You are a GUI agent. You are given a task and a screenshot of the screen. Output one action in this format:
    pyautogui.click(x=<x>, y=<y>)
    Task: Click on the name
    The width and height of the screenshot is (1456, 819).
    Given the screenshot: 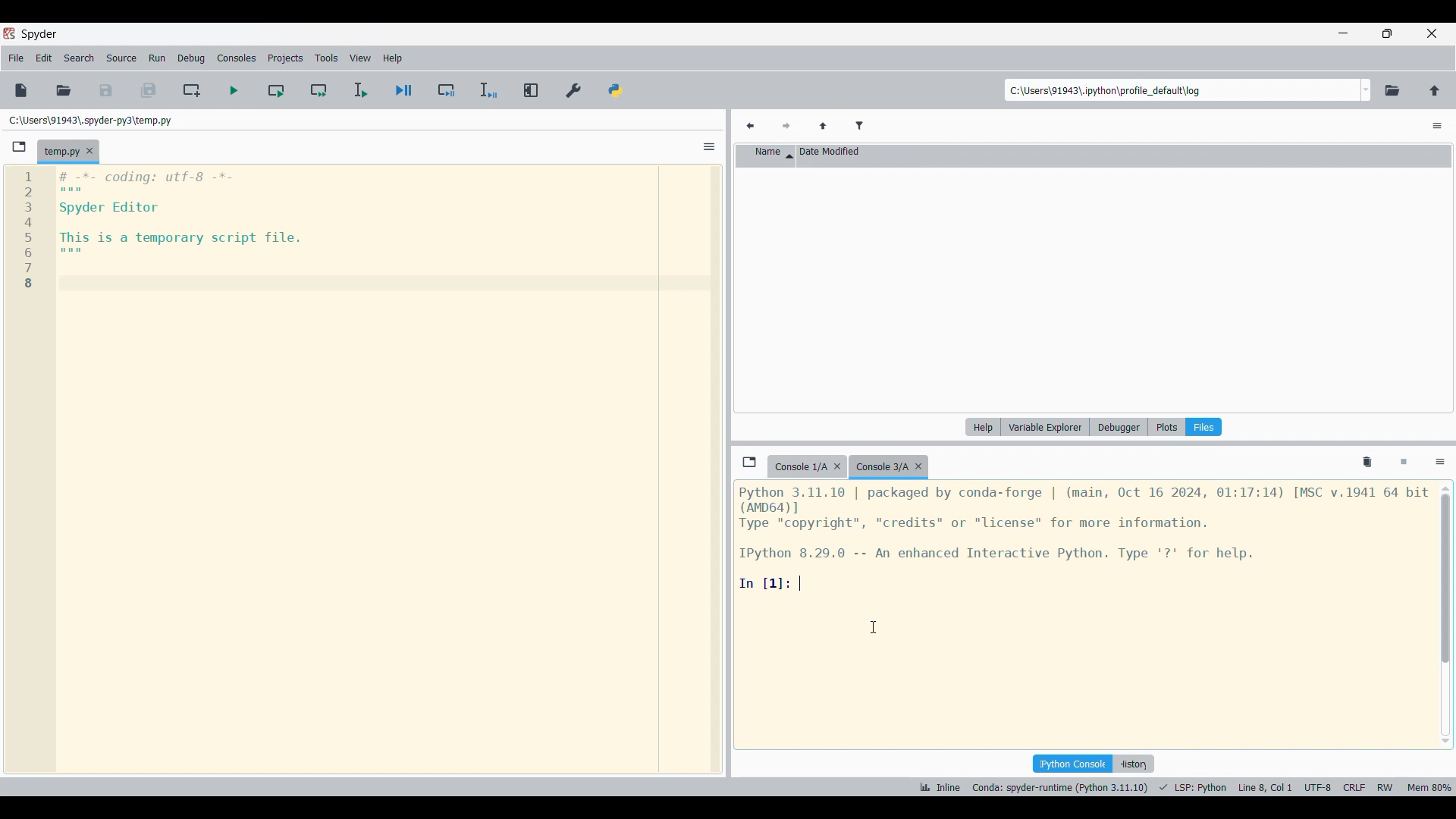 What is the action you would take?
    pyautogui.click(x=766, y=155)
    